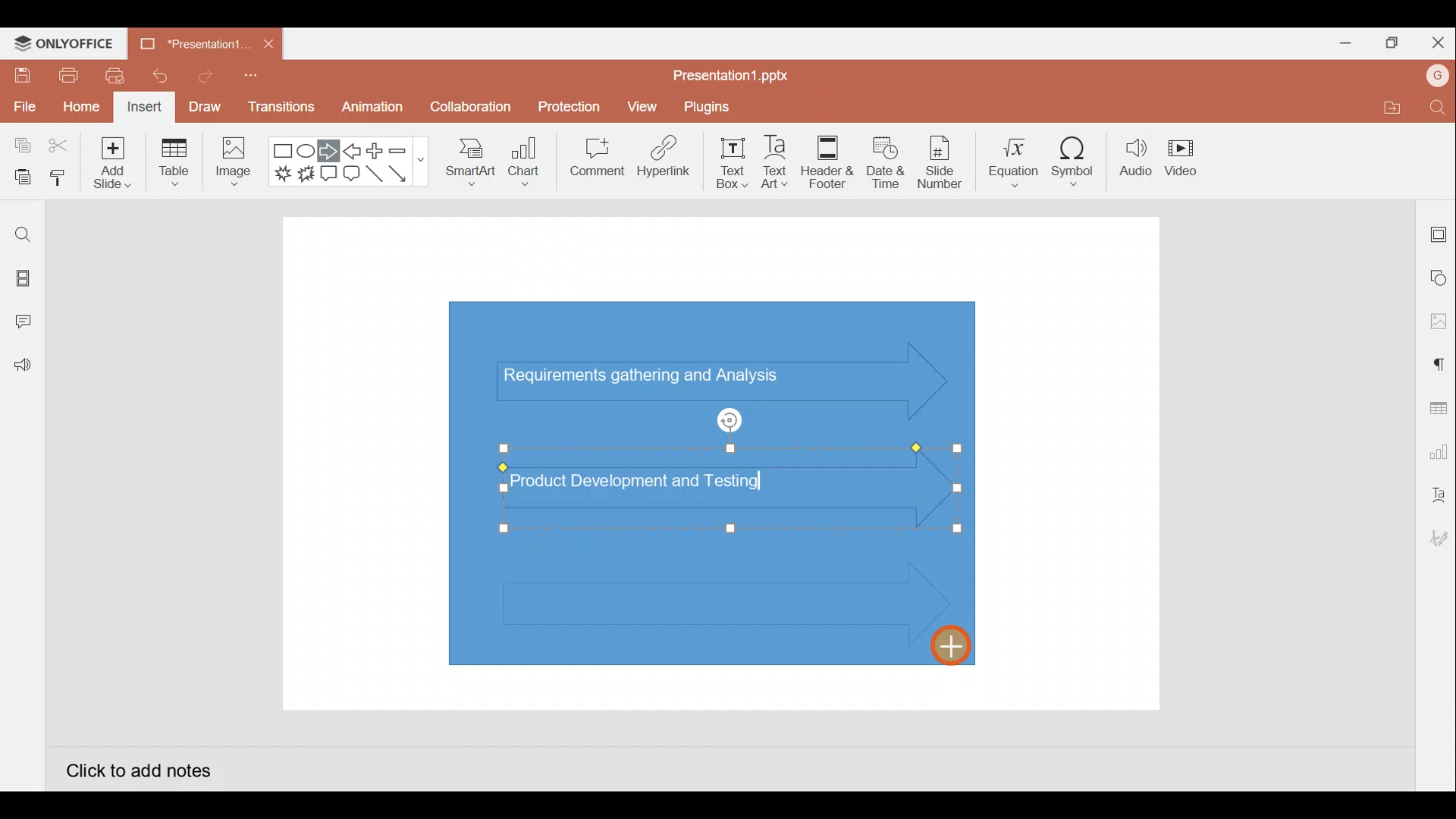 The image size is (1456, 819). What do you see at coordinates (353, 151) in the screenshot?
I see `Left arrow` at bounding box center [353, 151].